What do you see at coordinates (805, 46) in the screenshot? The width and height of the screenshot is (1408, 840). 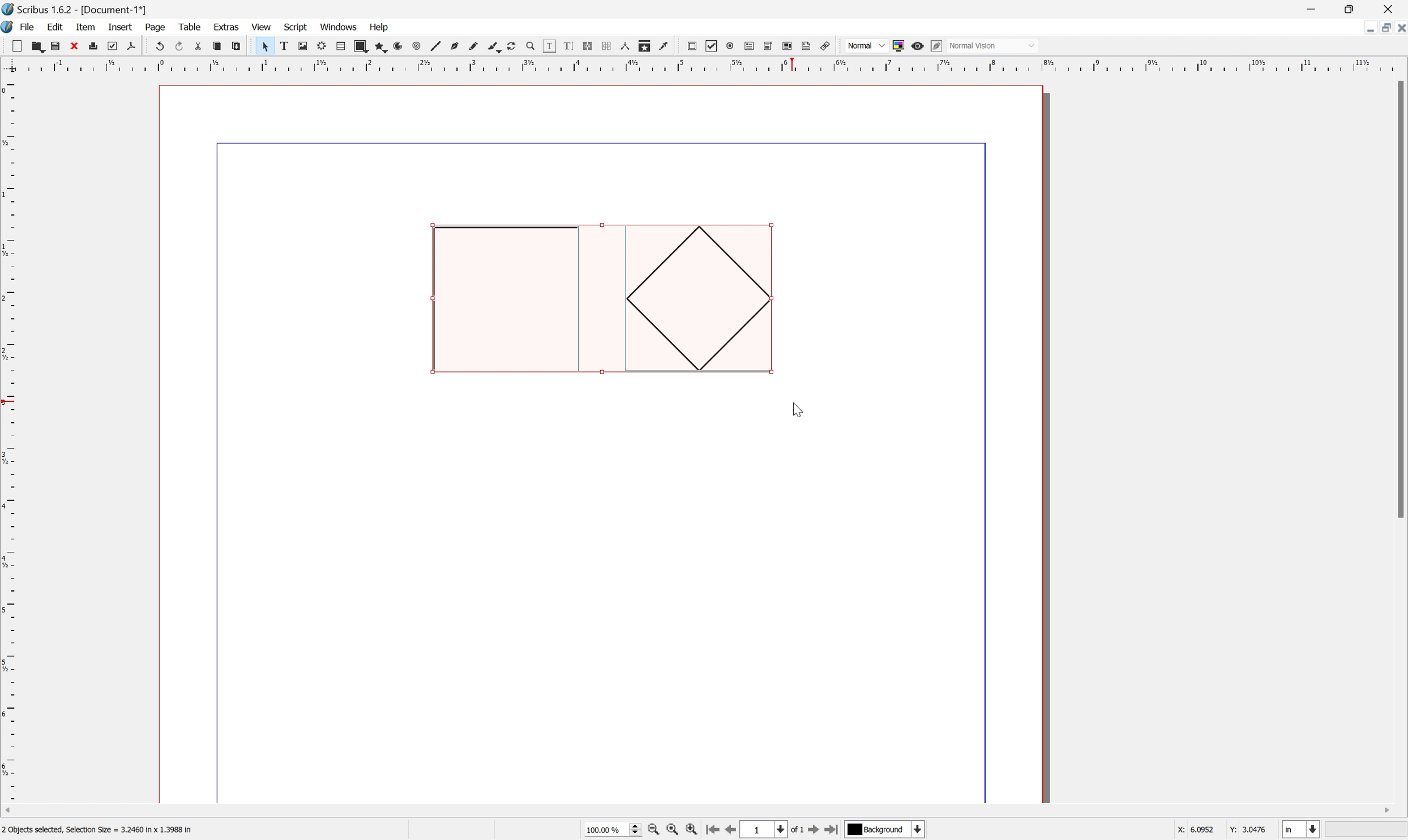 I see `Text annotation` at bounding box center [805, 46].